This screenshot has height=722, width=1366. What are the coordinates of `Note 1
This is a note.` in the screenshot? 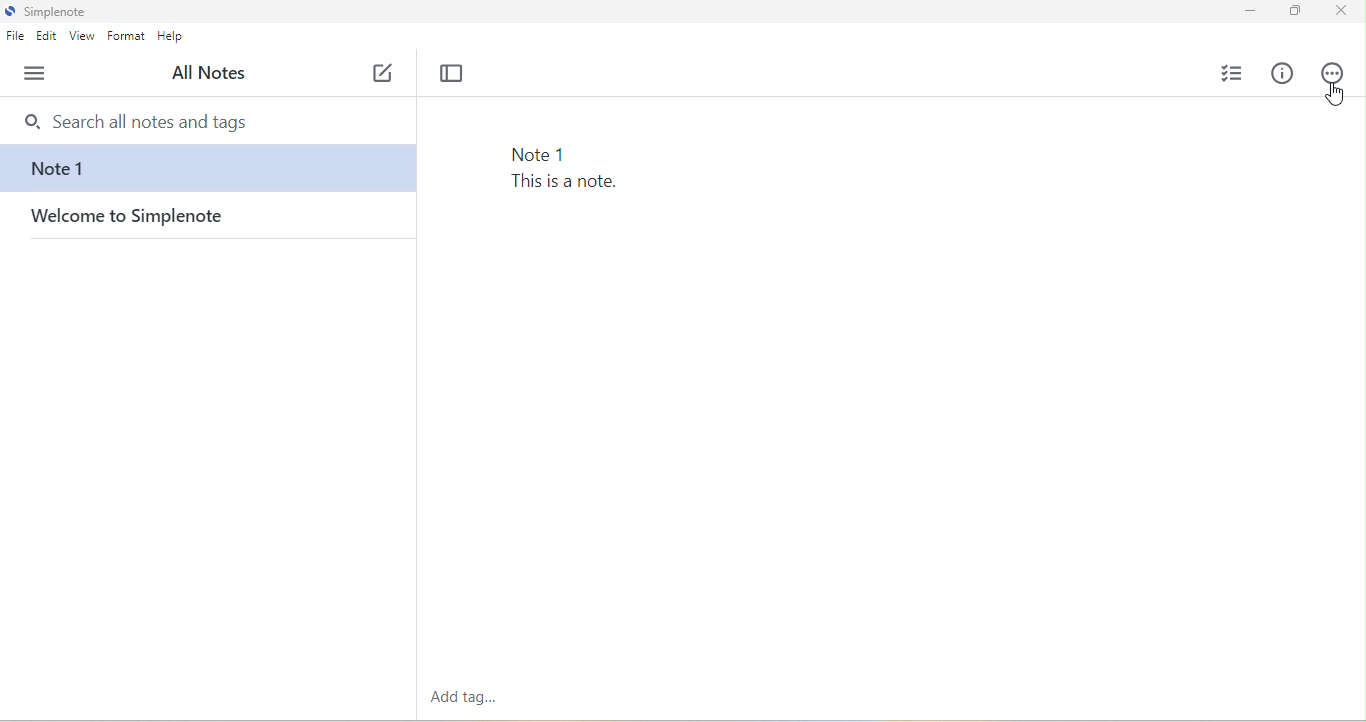 It's located at (581, 172).